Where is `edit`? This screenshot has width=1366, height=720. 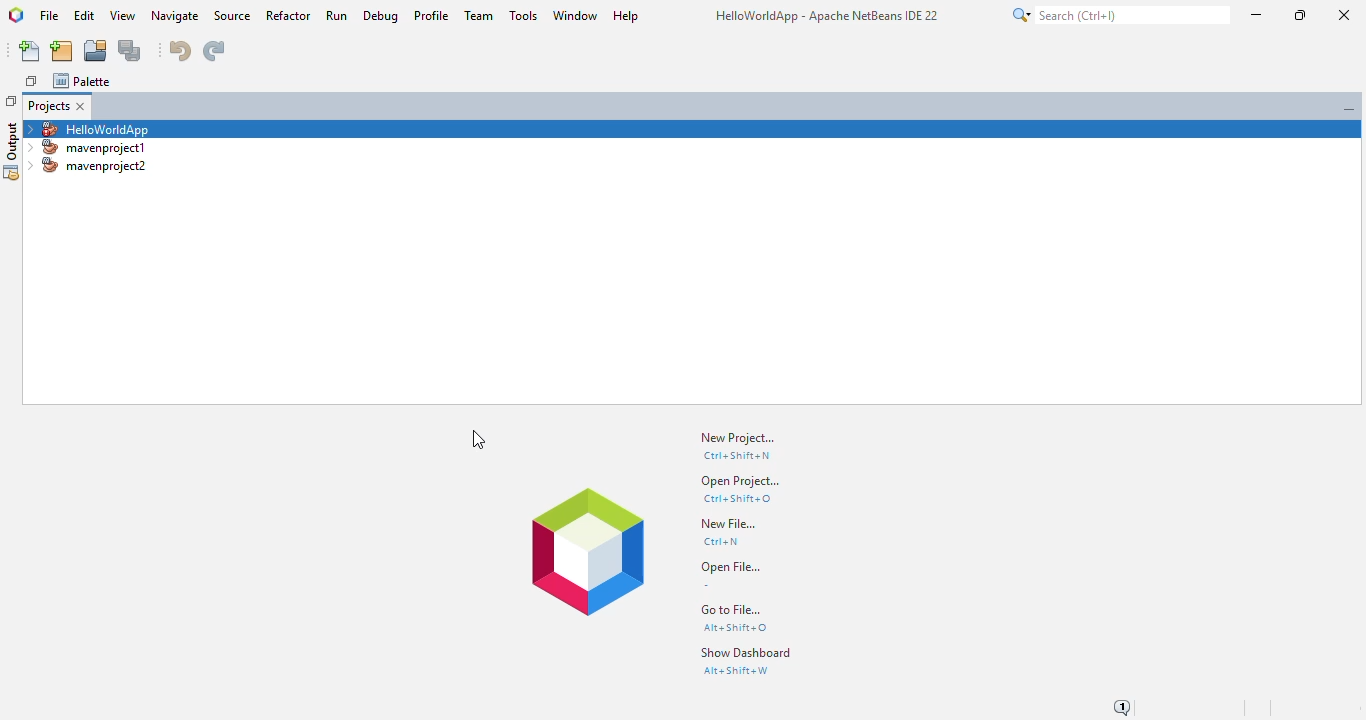
edit is located at coordinates (84, 15).